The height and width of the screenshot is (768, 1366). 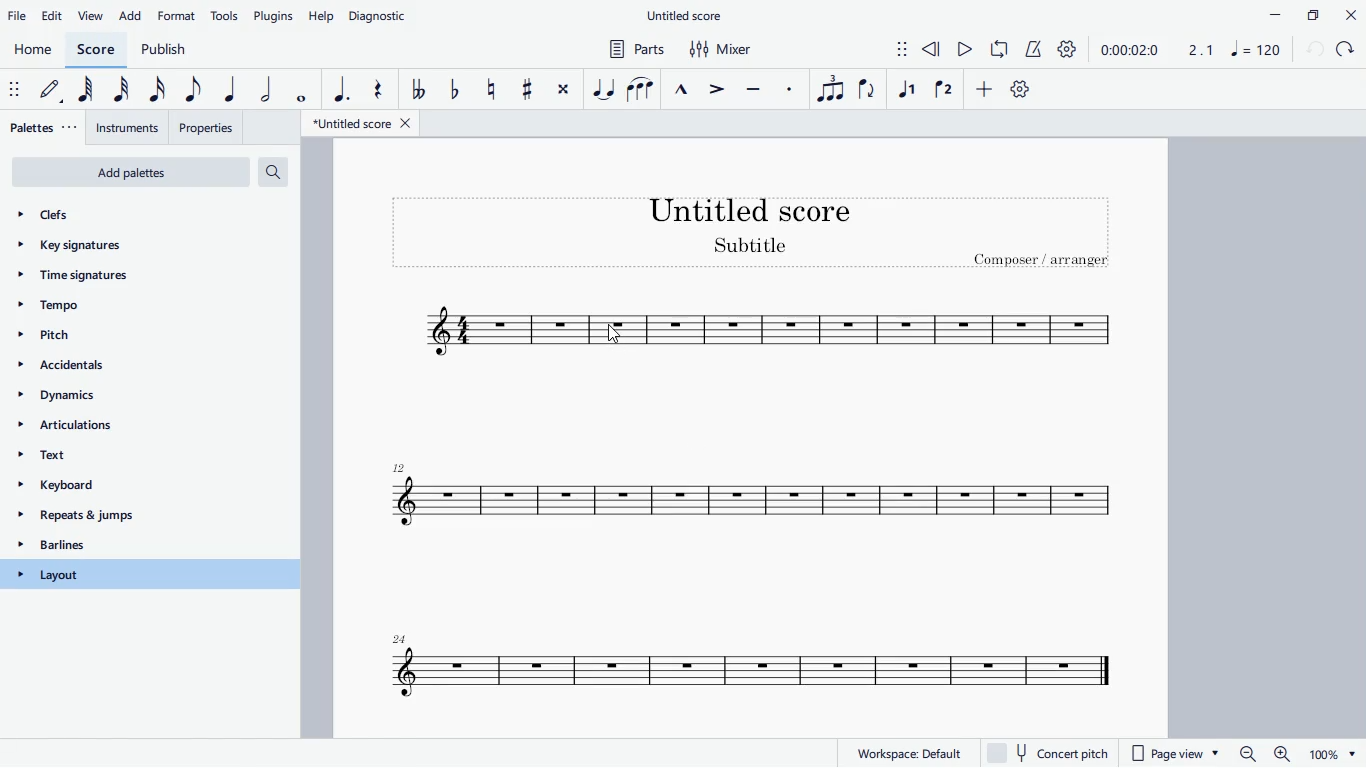 I want to click on search, so click(x=281, y=173).